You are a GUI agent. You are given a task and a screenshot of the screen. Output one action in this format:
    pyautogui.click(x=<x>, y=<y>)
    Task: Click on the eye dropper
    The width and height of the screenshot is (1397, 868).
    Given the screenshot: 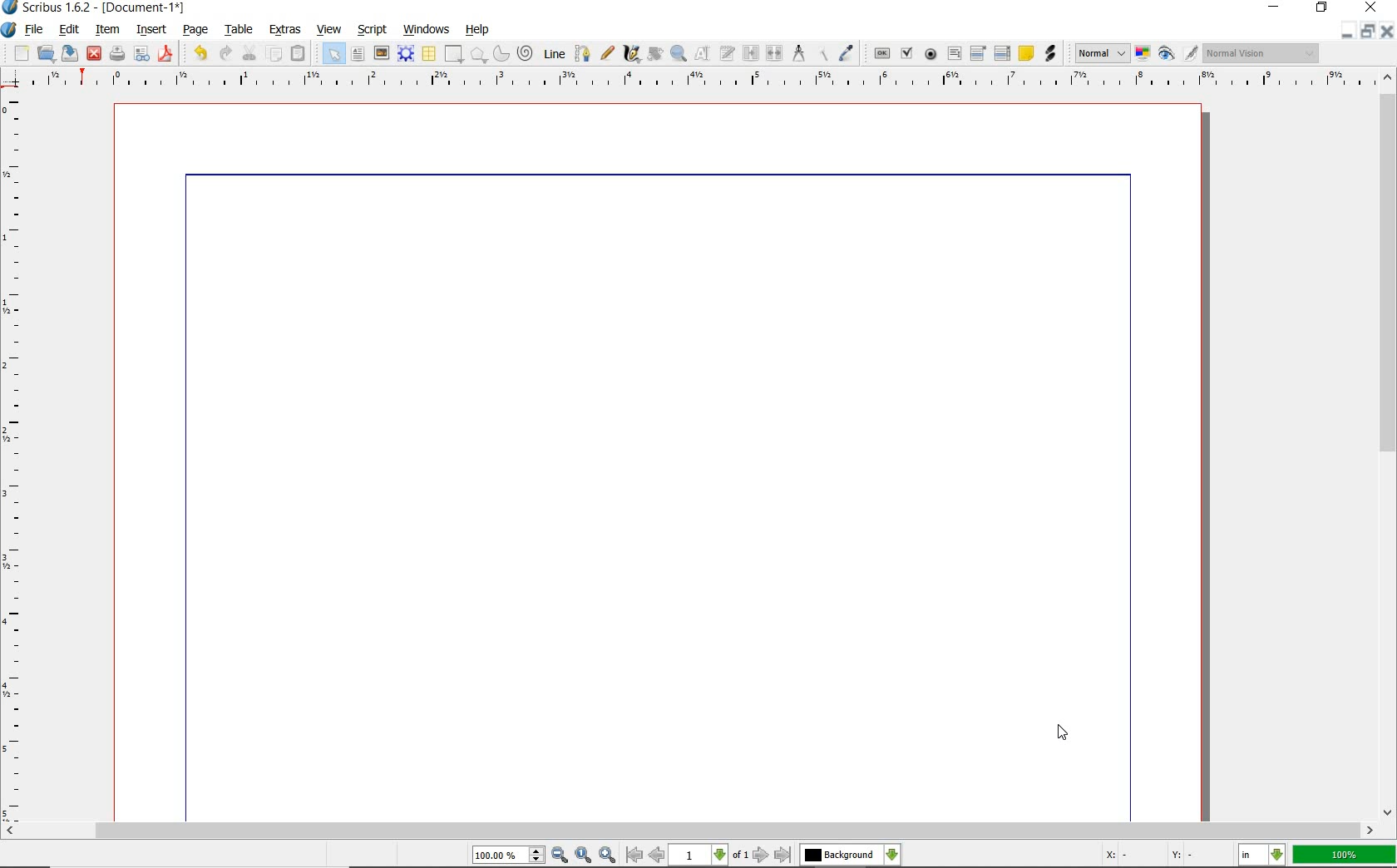 What is the action you would take?
    pyautogui.click(x=847, y=52)
    